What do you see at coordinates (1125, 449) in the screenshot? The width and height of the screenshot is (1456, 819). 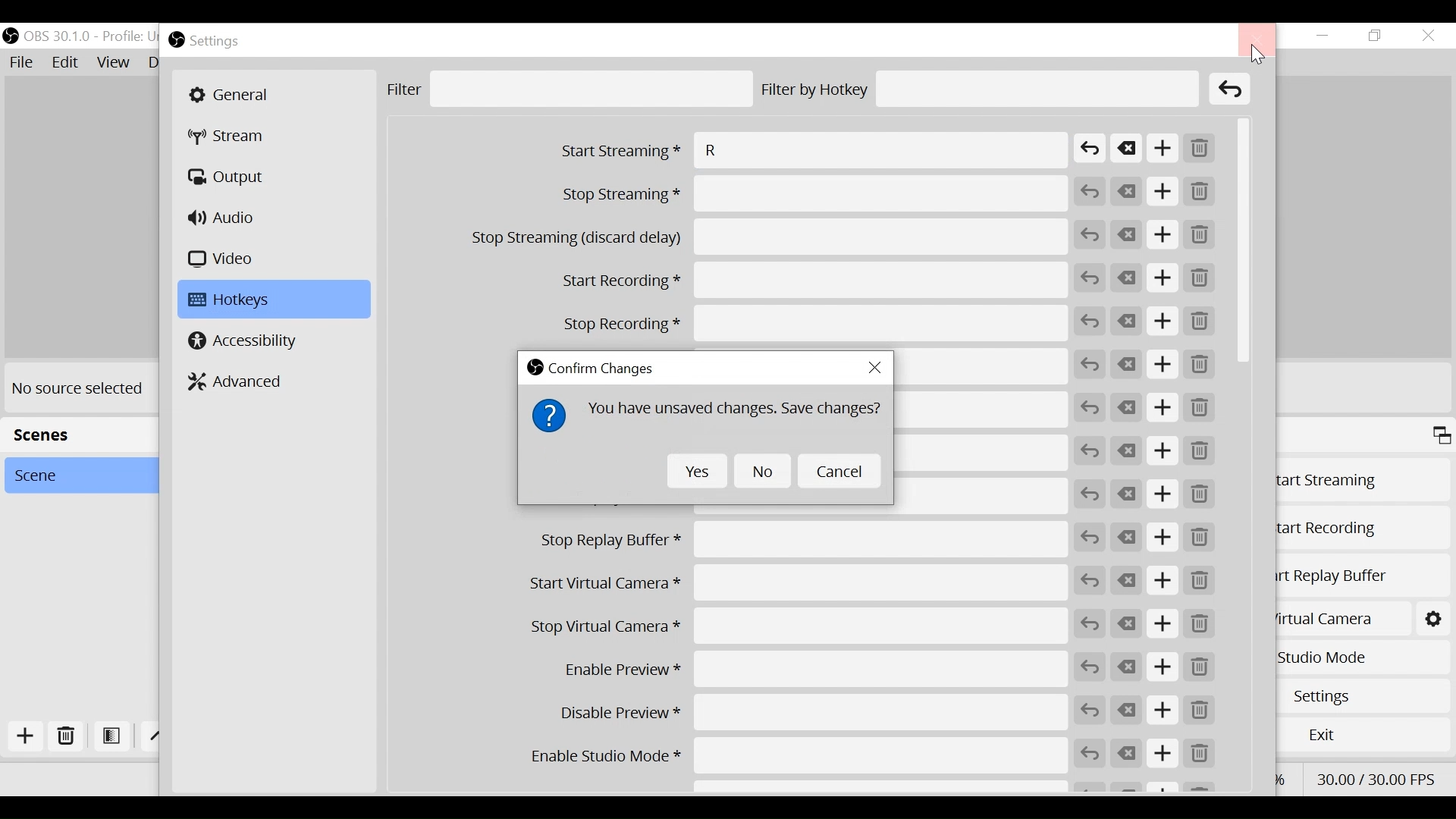 I see `Clear` at bounding box center [1125, 449].